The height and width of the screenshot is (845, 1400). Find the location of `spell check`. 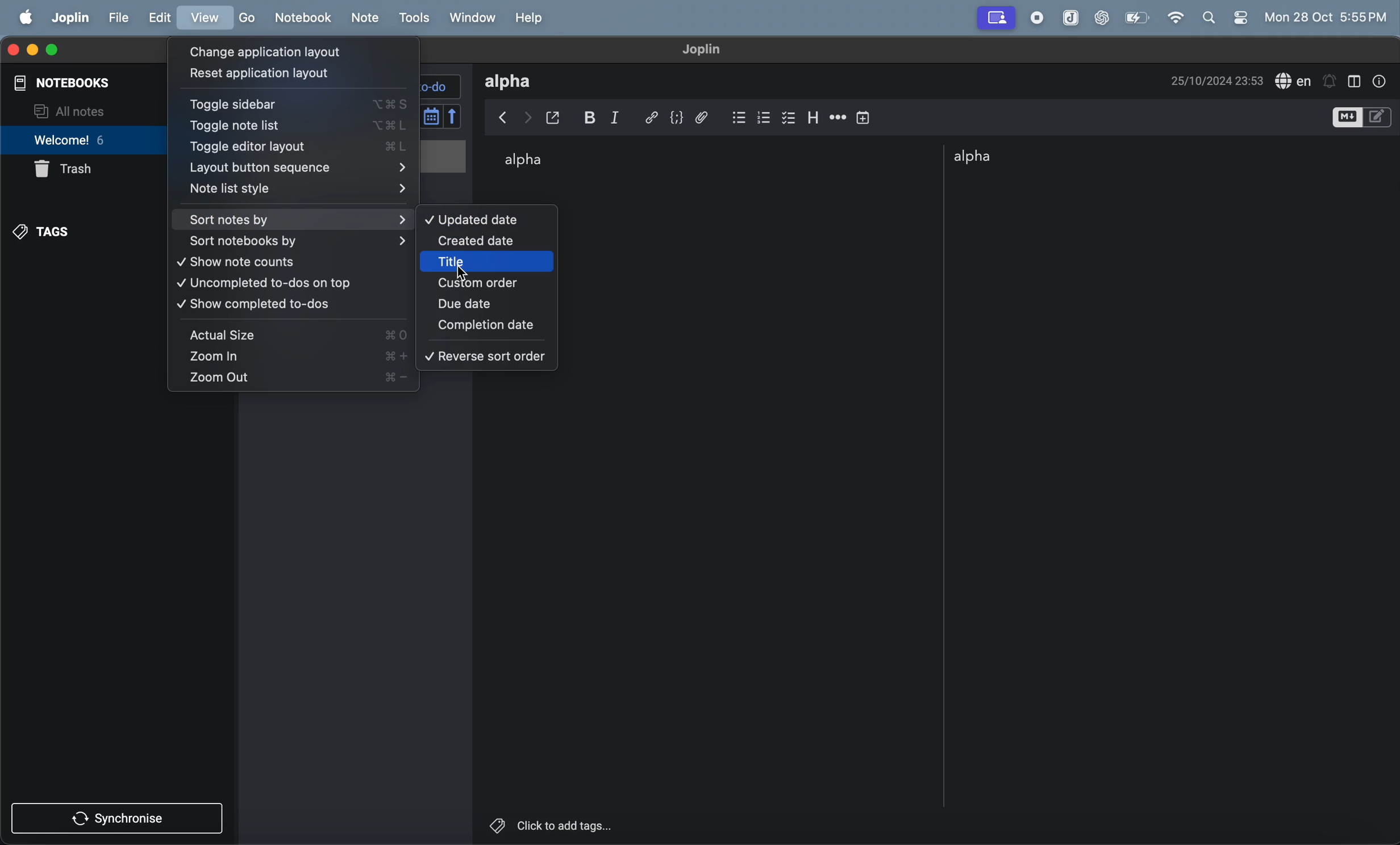

spell check is located at coordinates (1294, 80).